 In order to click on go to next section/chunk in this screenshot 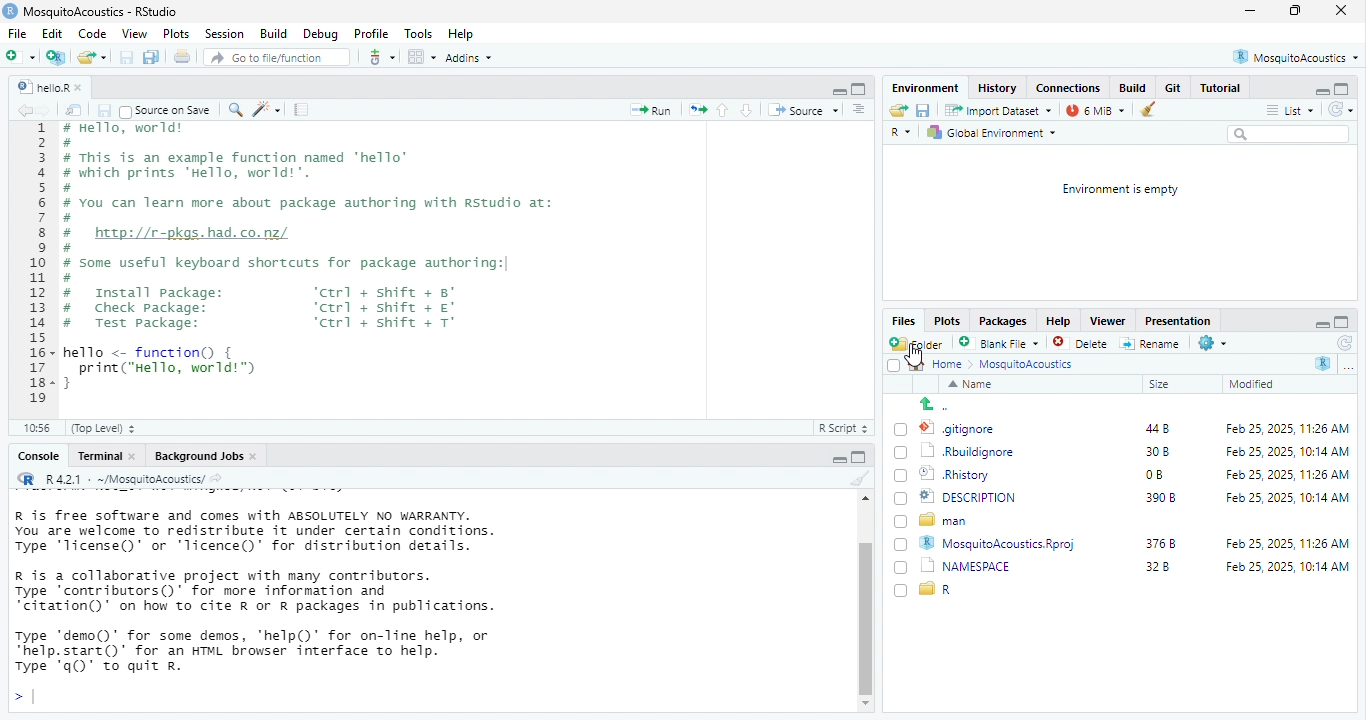, I will do `click(748, 112)`.